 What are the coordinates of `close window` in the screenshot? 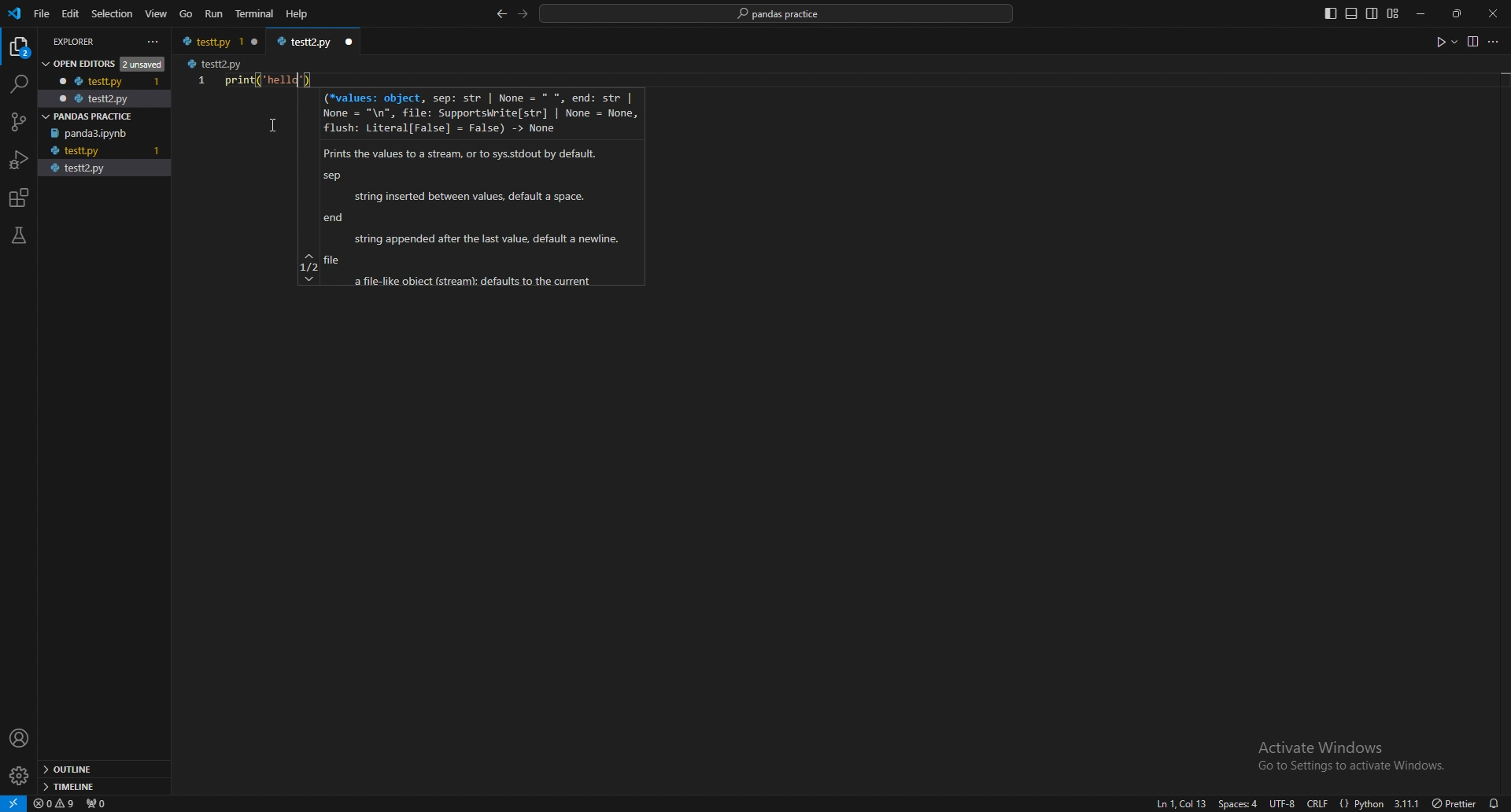 It's located at (256, 41).